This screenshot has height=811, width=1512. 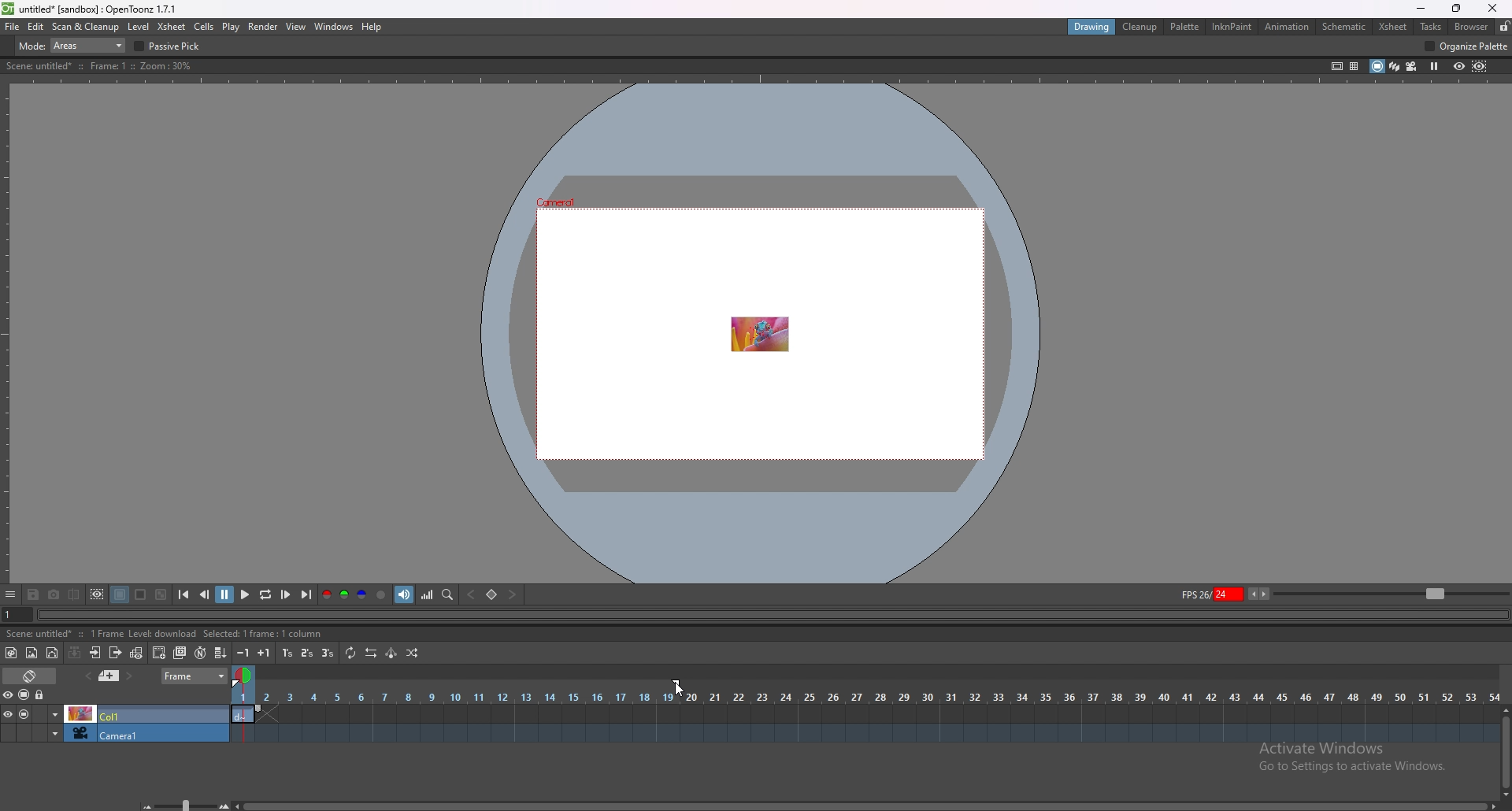 What do you see at coordinates (204, 26) in the screenshot?
I see `cells` at bounding box center [204, 26].